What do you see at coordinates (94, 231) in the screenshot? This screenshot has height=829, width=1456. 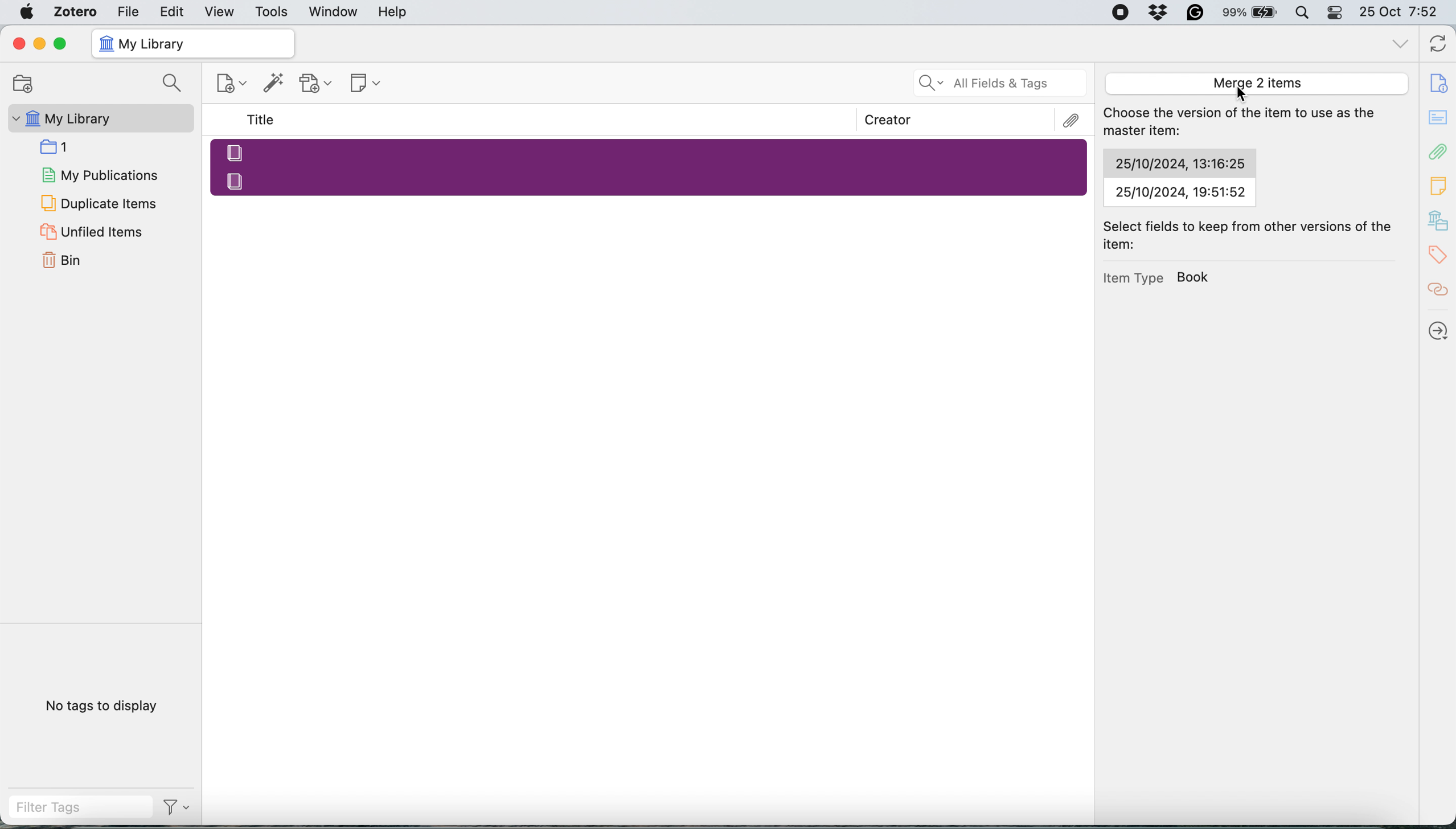 I see `Unfiled Items` at bounding box center [94, 231].